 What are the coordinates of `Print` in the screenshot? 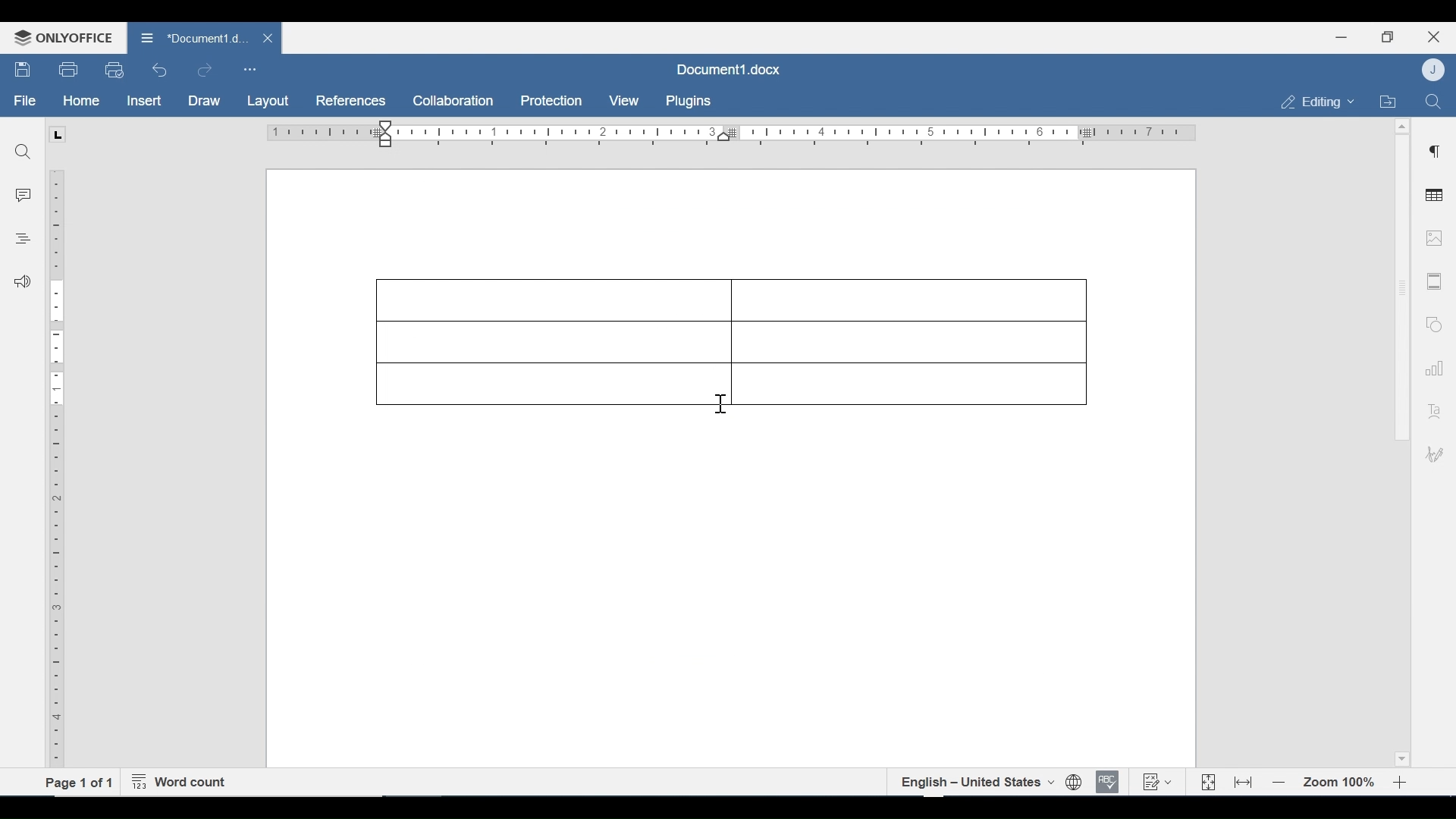 It's located at (69, 70).